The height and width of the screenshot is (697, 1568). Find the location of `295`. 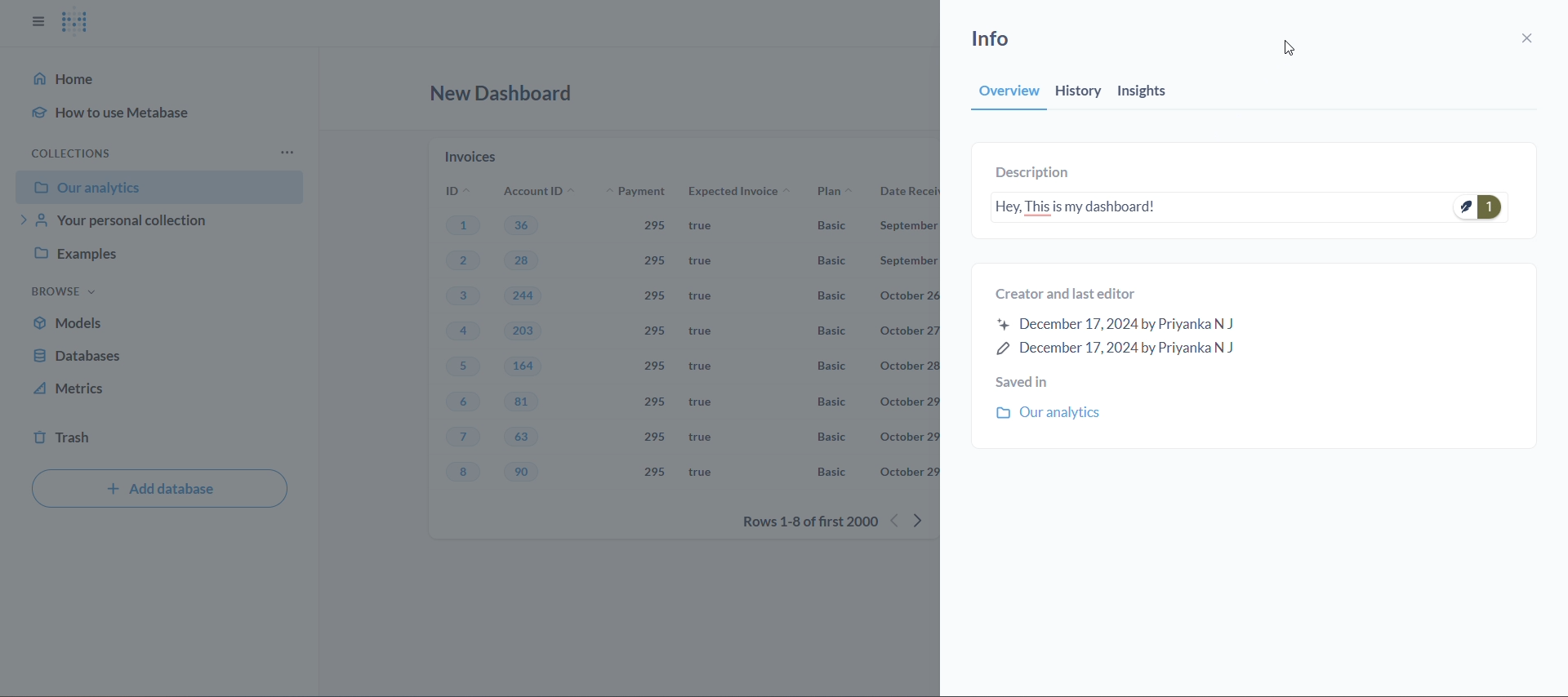

295 is located at coordinates (651, 227).